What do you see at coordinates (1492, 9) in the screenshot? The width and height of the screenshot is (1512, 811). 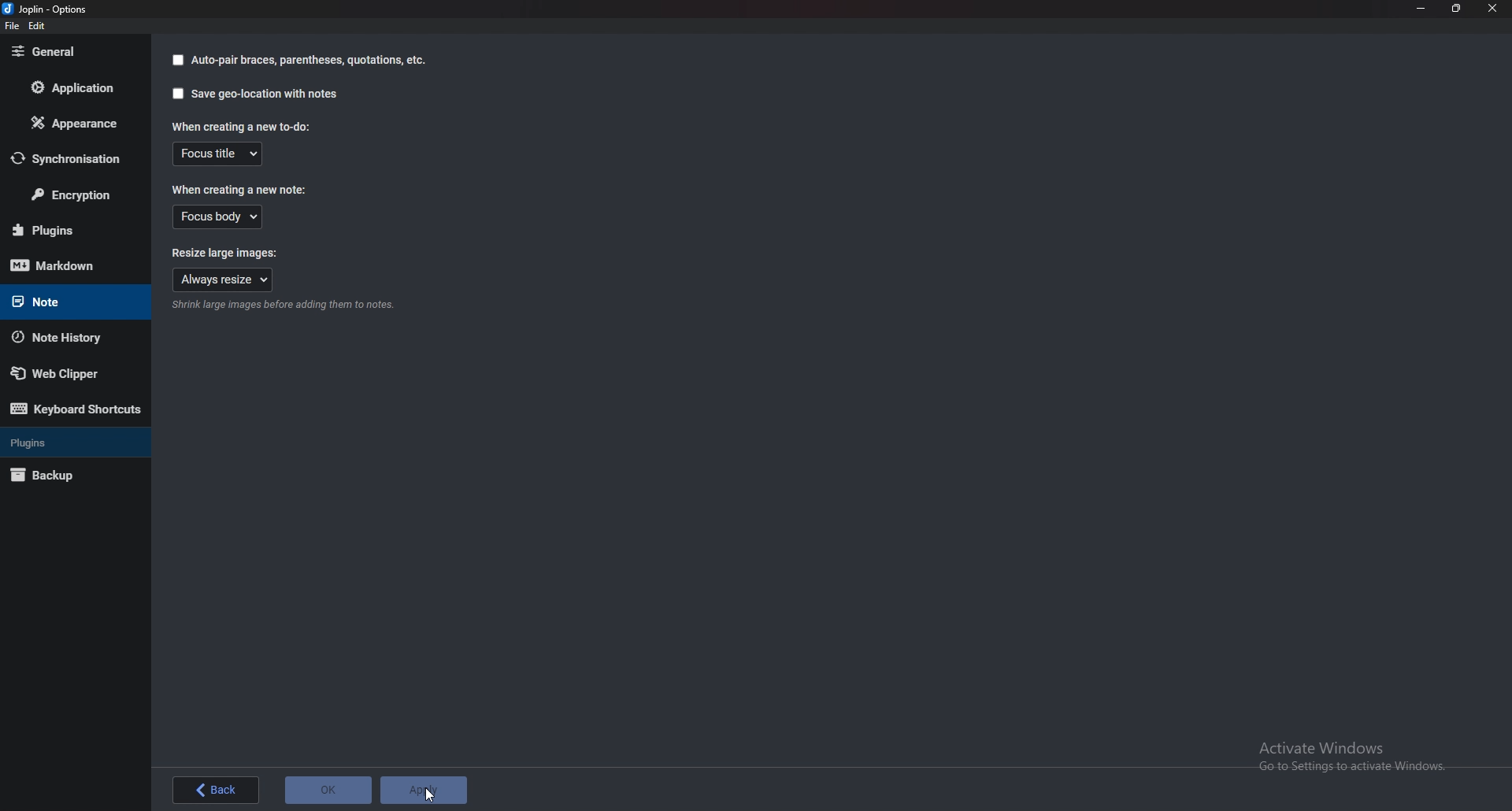 I see `Close` at bounding box center [1492, 9].